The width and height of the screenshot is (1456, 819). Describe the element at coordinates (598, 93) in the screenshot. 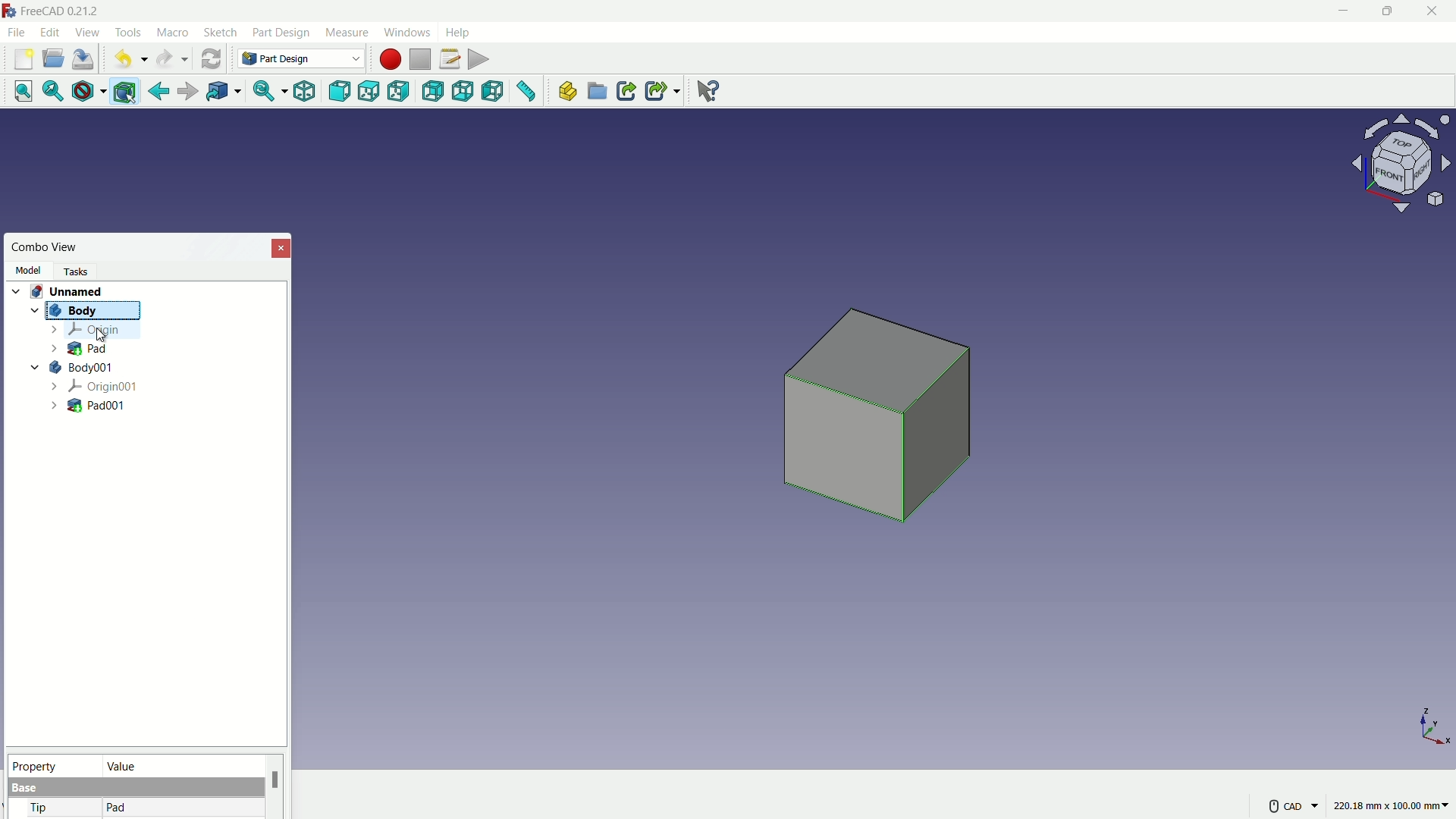

I see `create group` at that location.